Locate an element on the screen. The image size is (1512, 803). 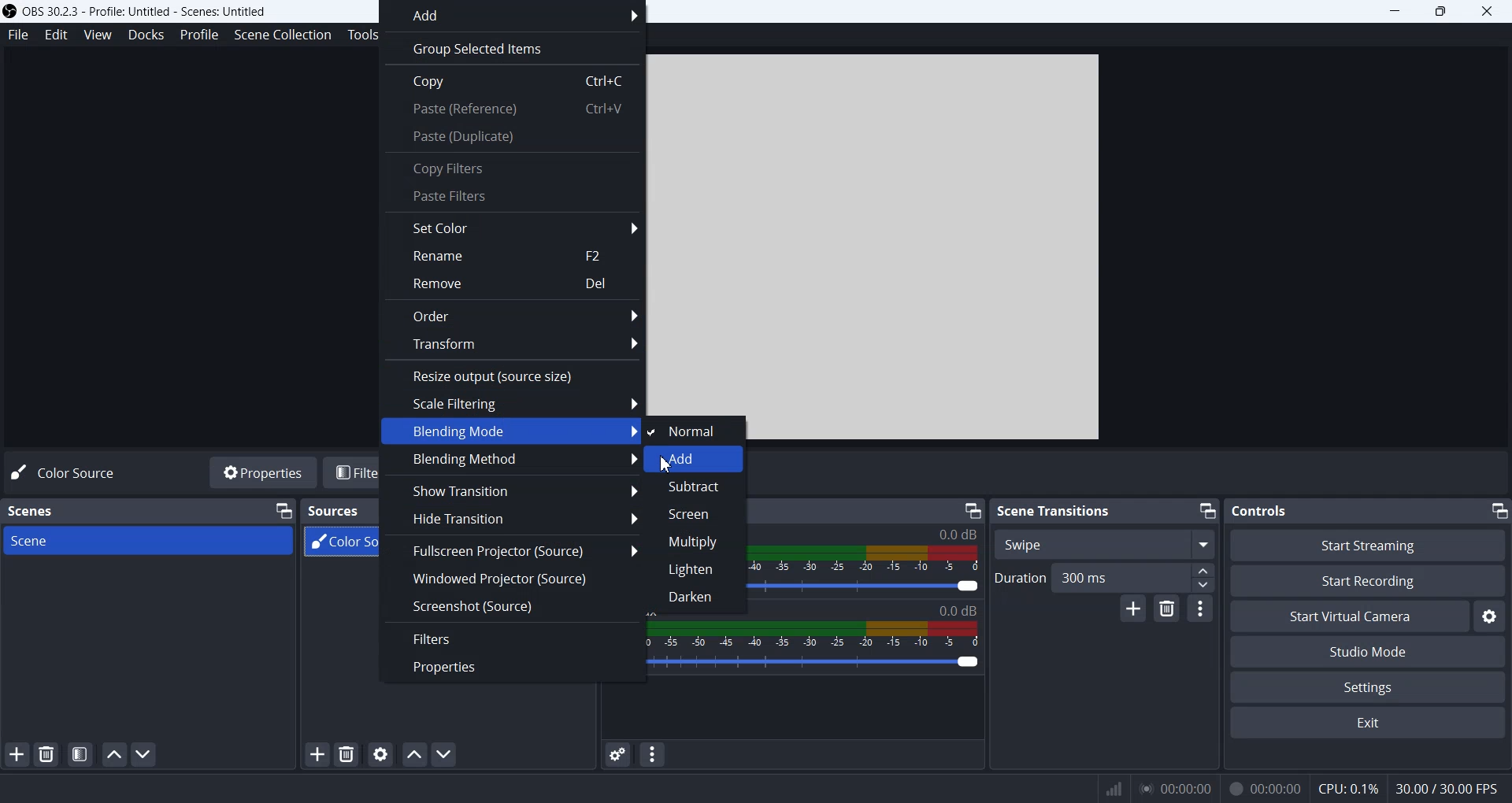
Minimize is located at coordinates (283, 509).